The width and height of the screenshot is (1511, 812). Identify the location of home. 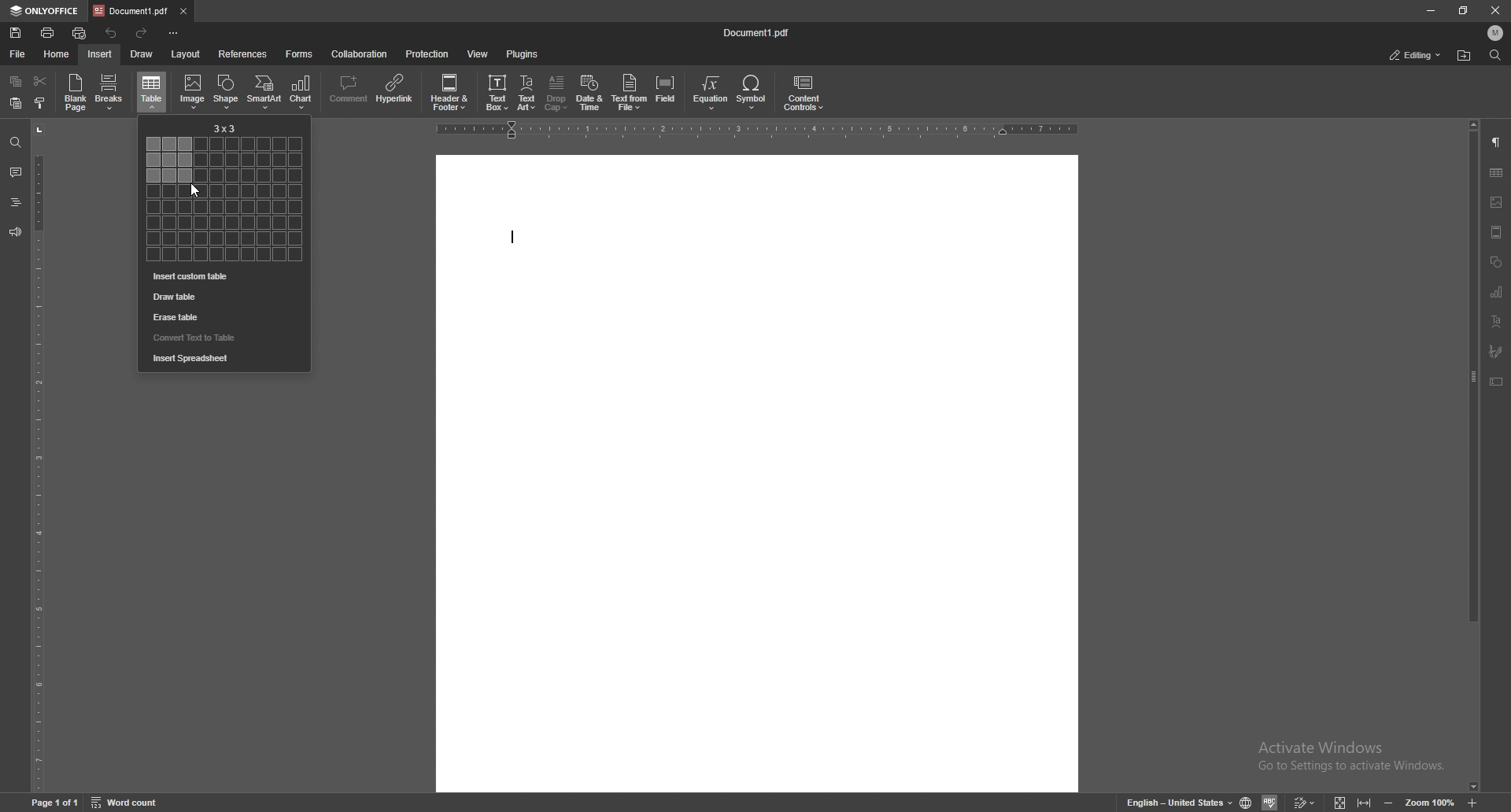
(57, 54).